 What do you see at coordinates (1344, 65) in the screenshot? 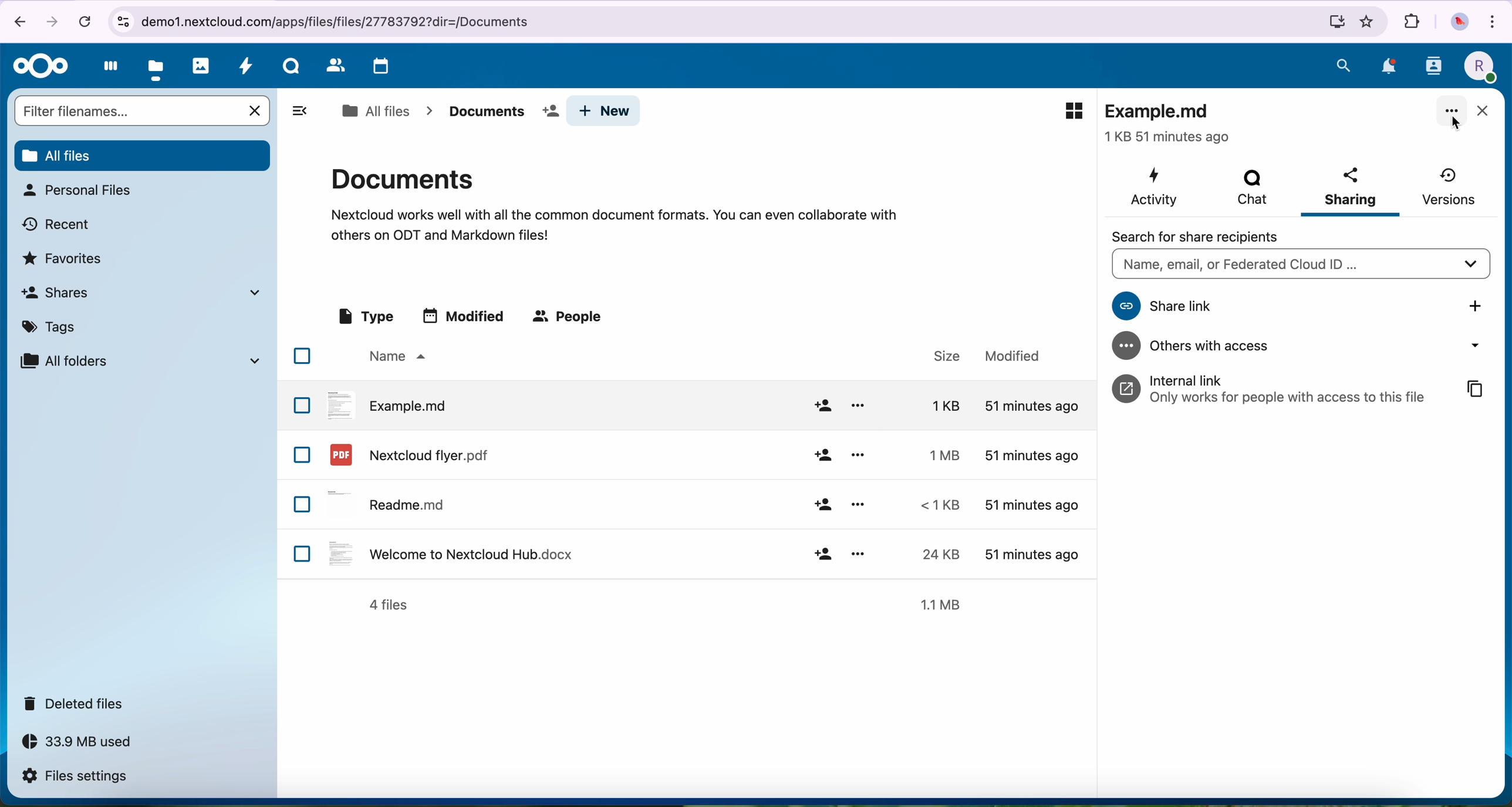
I see `search` at bounding box center [1344, 65].